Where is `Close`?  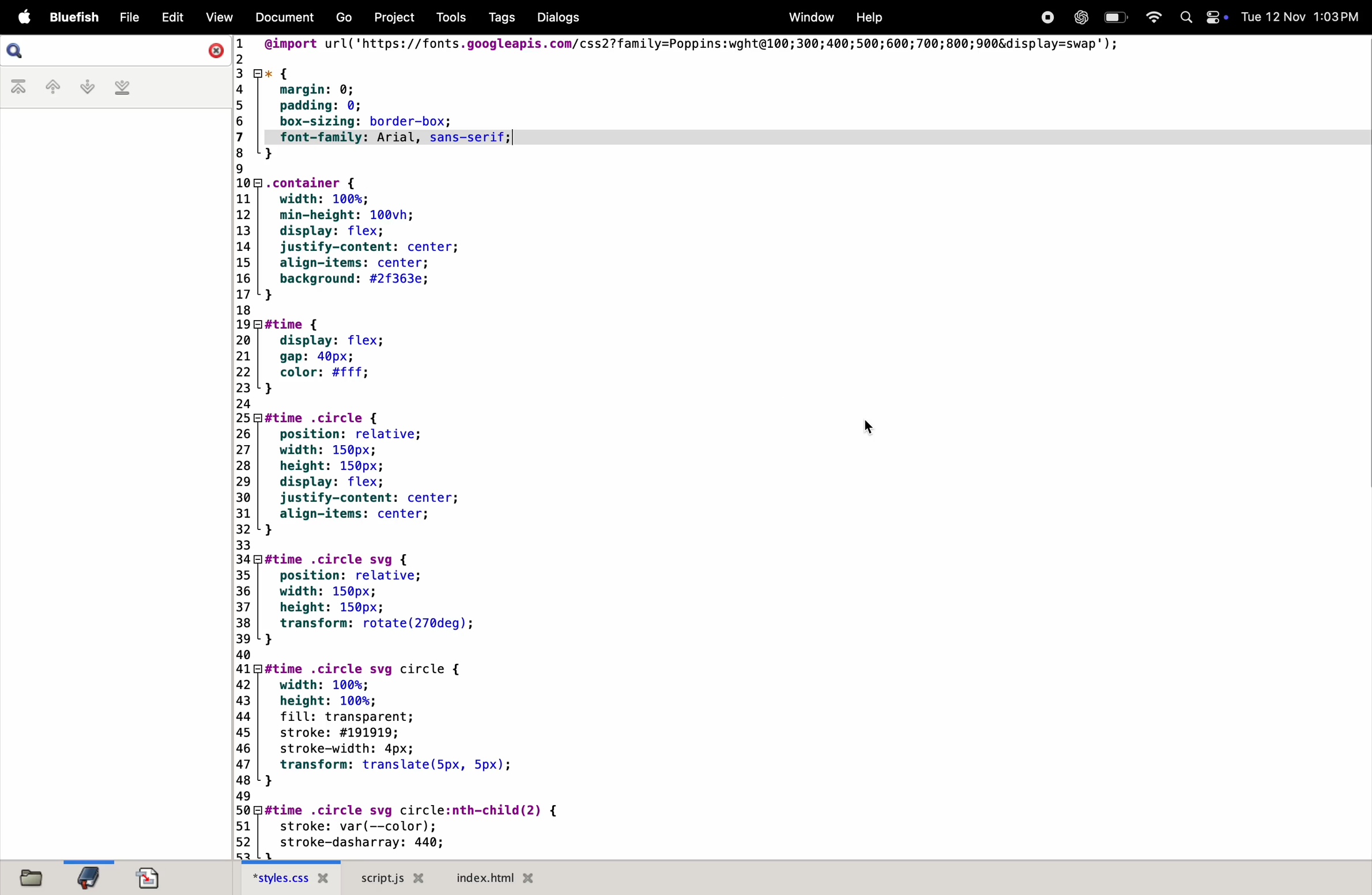 Close is located at coordinates (214, 50).